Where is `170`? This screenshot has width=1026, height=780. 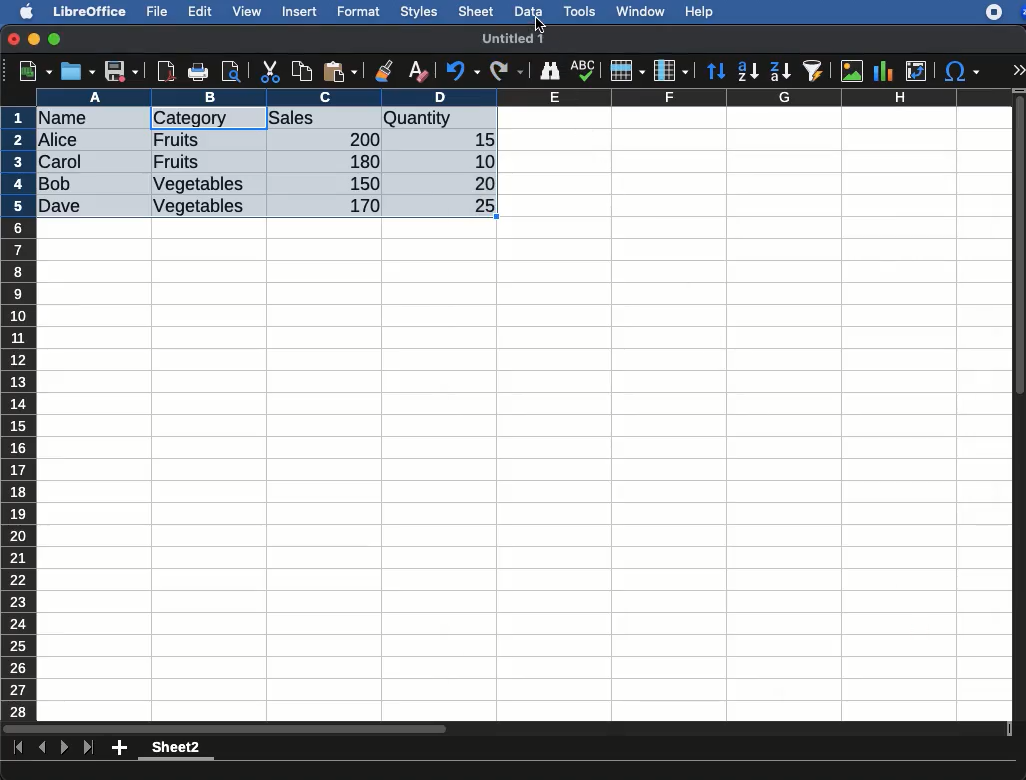 170 is located at coordinates (359, 206).